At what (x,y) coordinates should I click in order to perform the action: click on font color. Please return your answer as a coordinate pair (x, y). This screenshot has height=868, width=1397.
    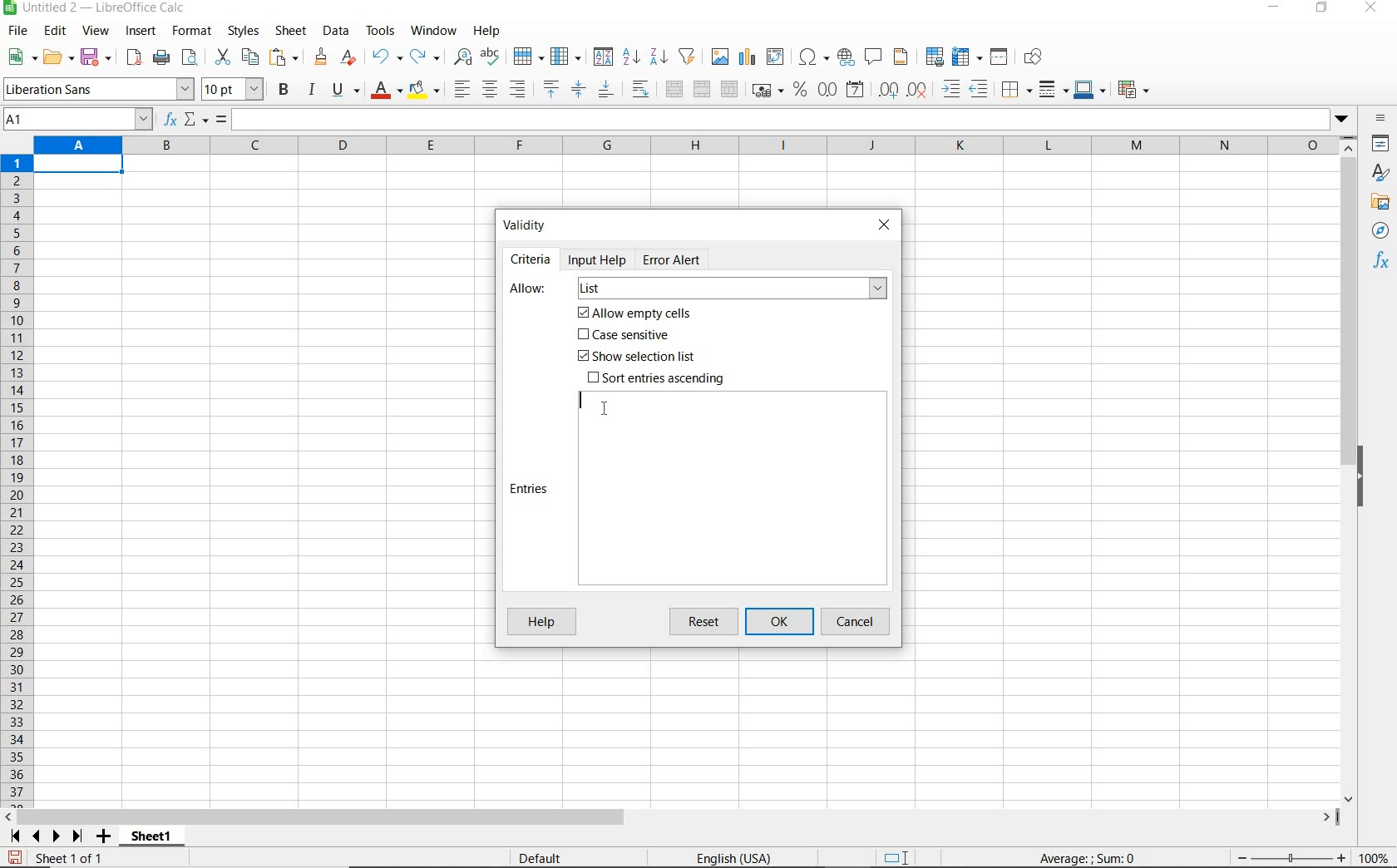
    Looking at the image, I should click on (388, 90).